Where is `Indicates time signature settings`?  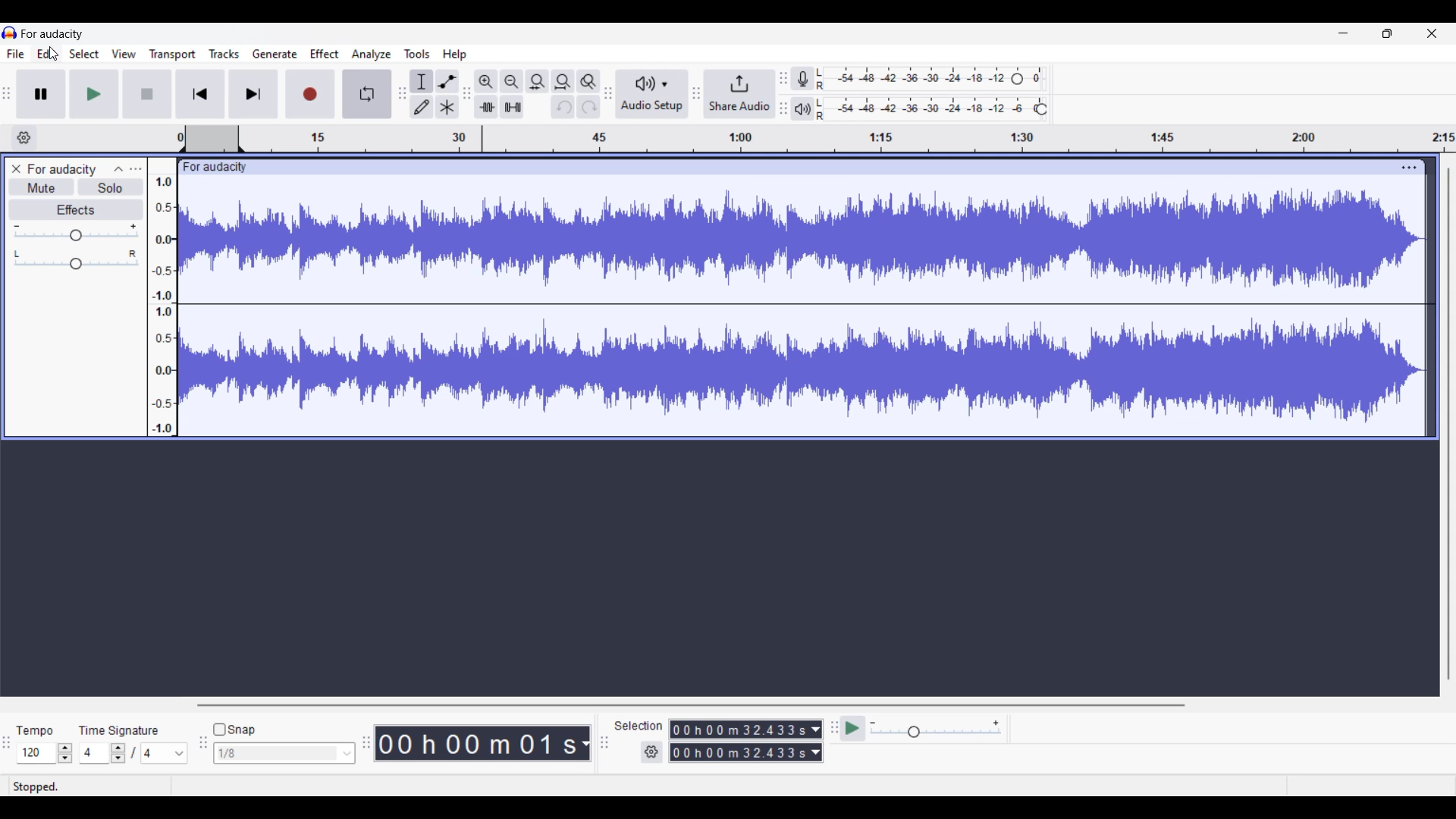
Indicates time signature settings is located at coordinates (119, 730).